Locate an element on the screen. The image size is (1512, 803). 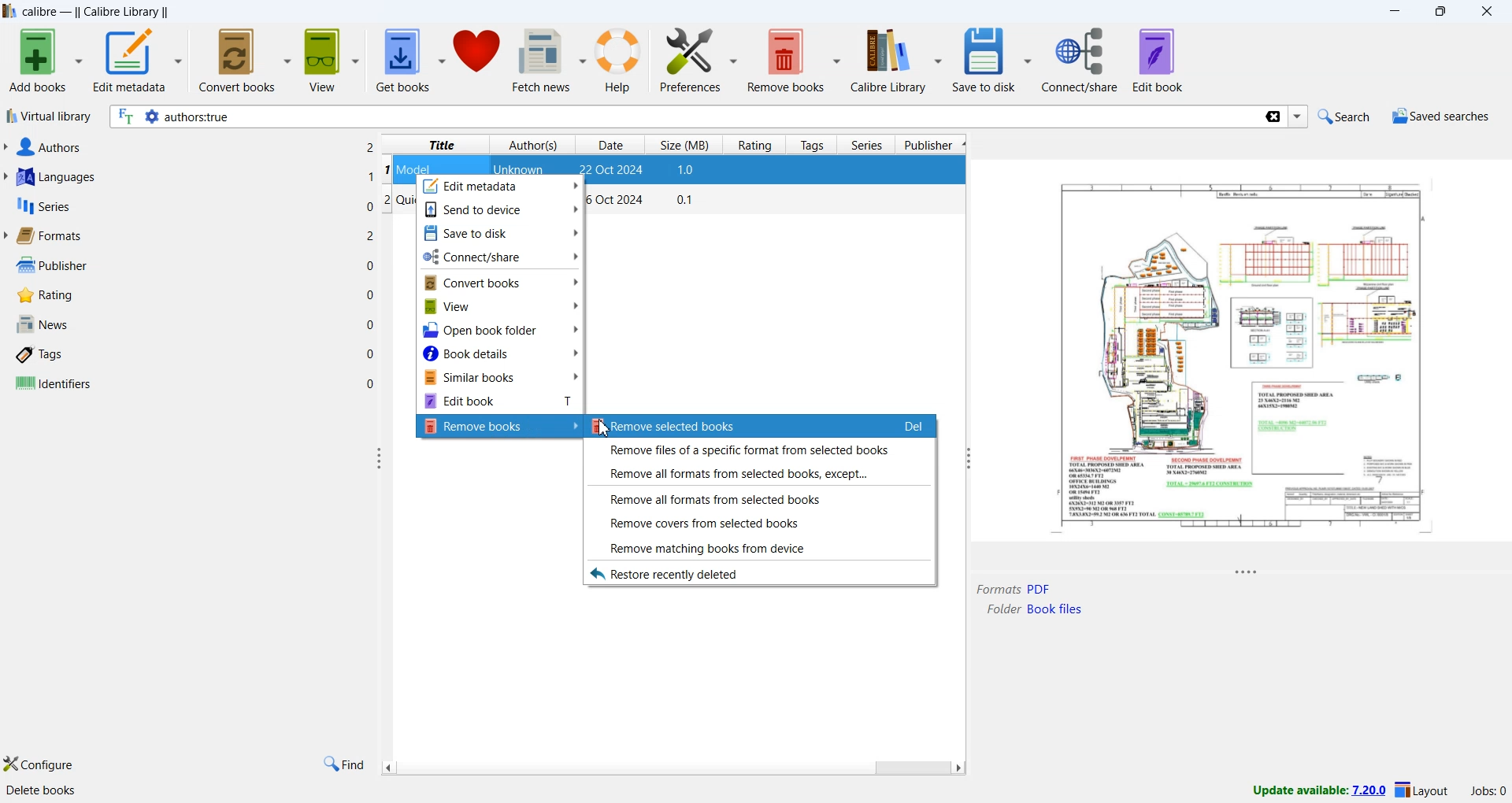
remove books is located at coordinates (795, 61).